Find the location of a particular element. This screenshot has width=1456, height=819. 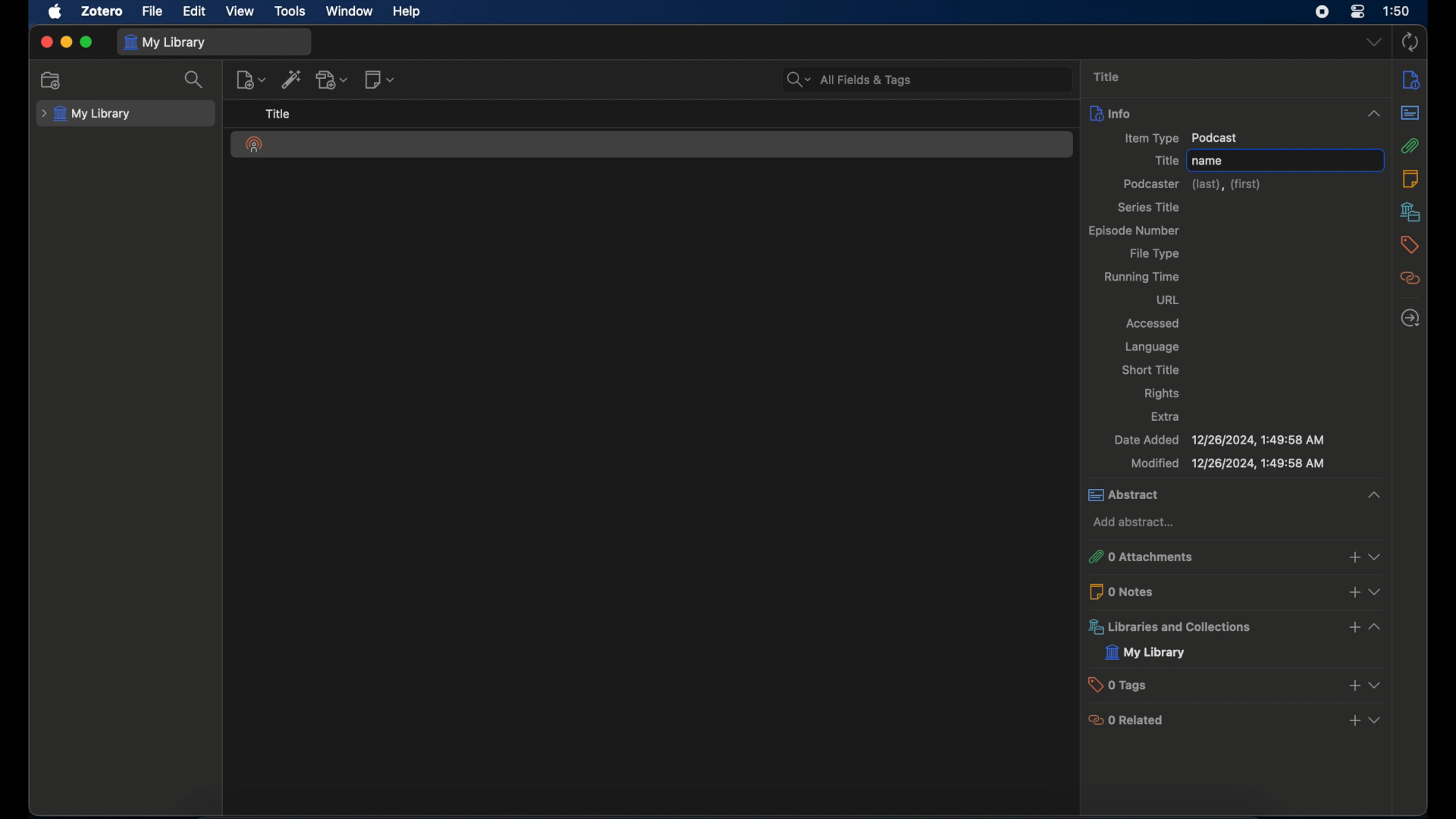

name is located at coordinates (1285, 158).